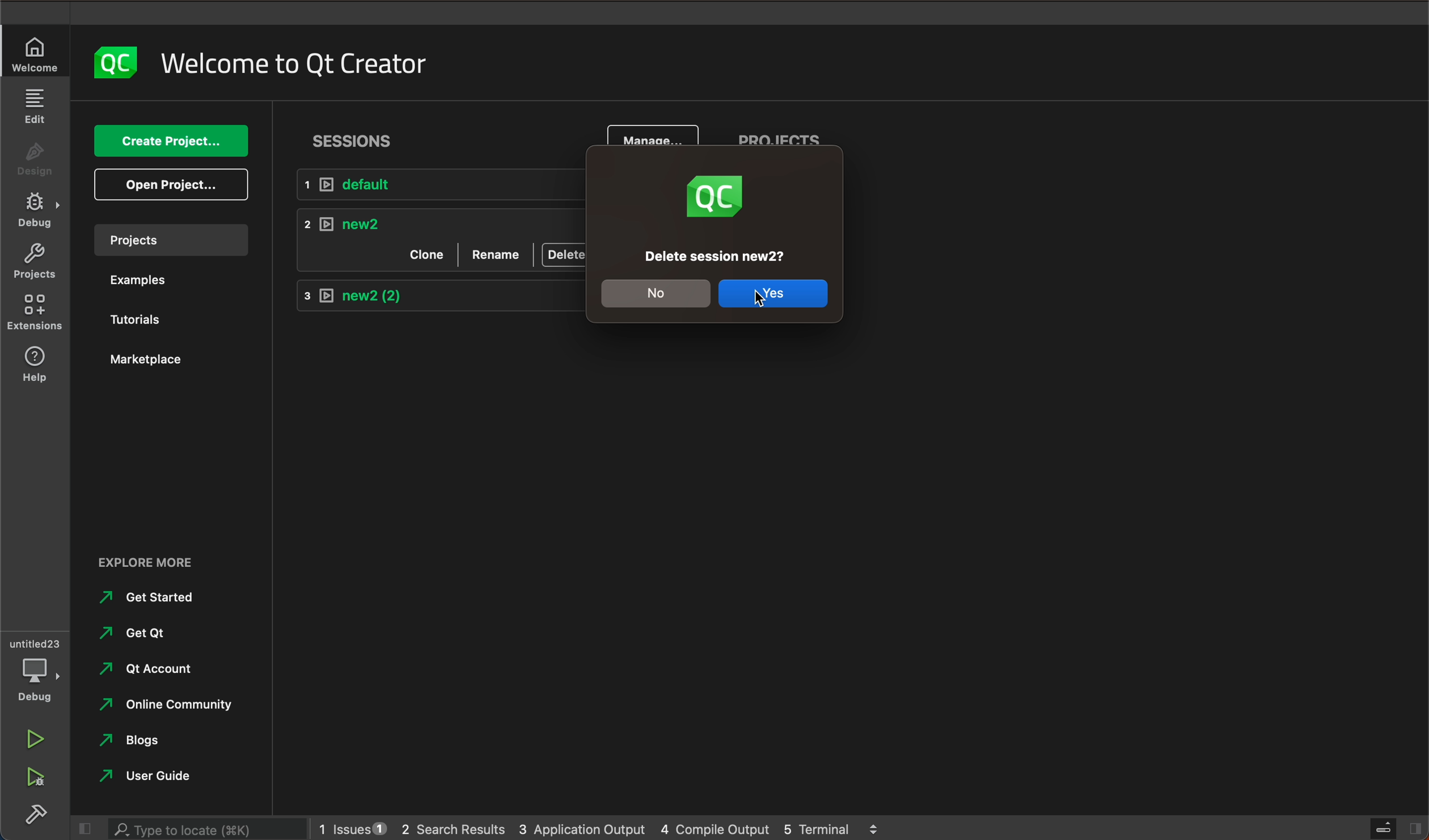 The image size is (1429, 840). What do you see at coordinates (429, 252) in the screenshot?
I see `clone` at bounding box center [429, 252].